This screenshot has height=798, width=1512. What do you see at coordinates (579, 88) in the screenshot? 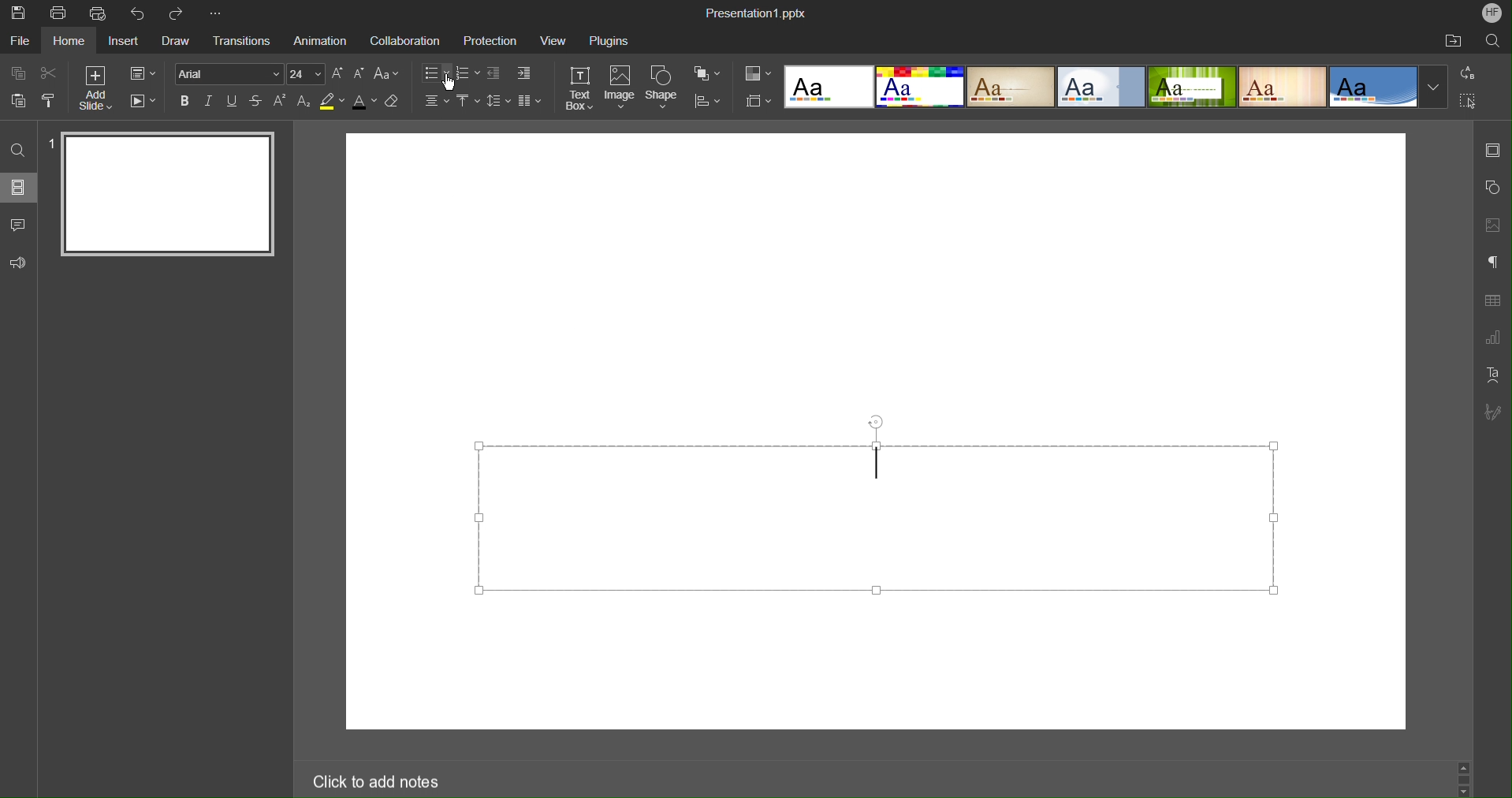
I see `Text Box` at bounding box center [579, 88].